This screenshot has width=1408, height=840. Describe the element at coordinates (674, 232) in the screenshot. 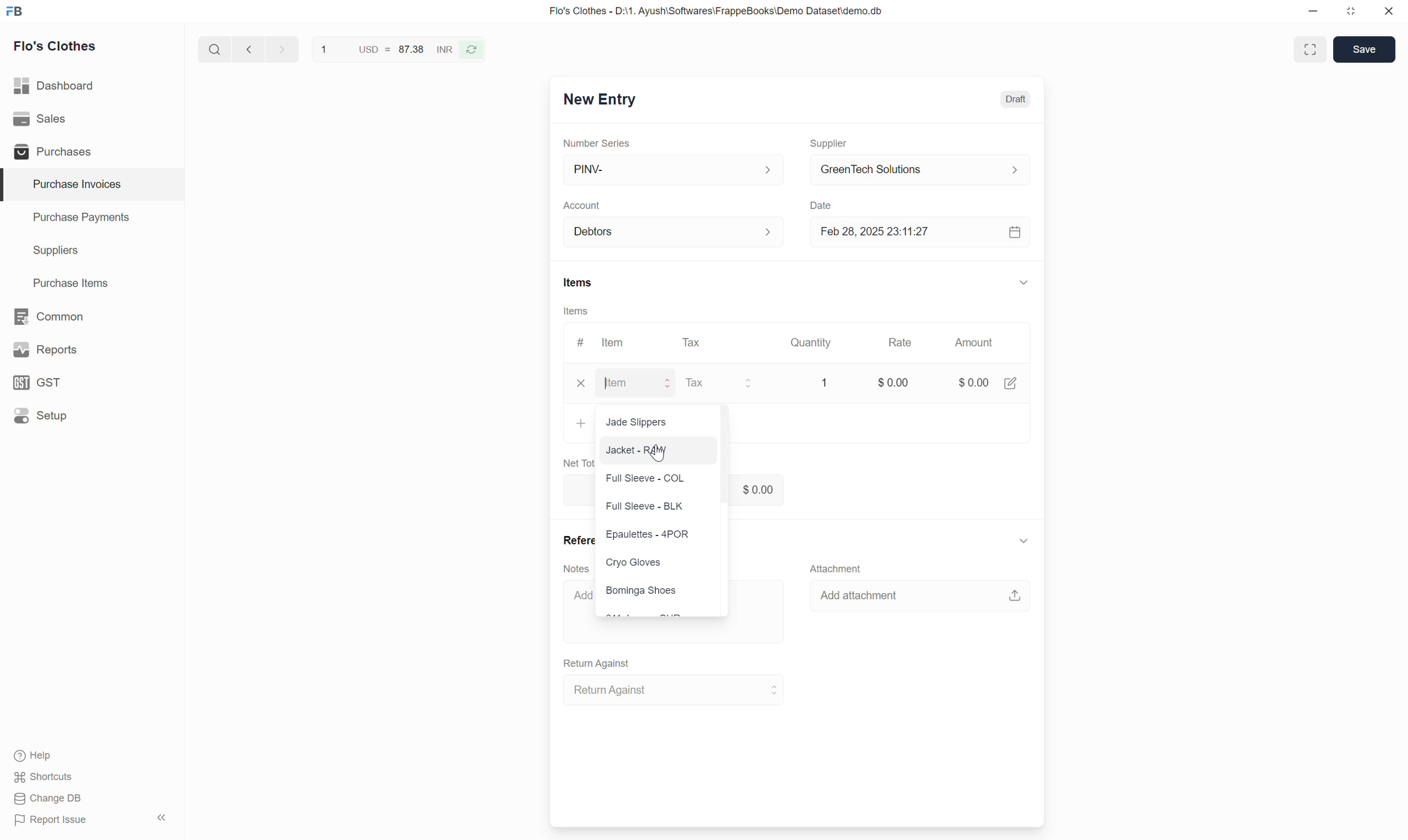

I see `Debtors` at that location.